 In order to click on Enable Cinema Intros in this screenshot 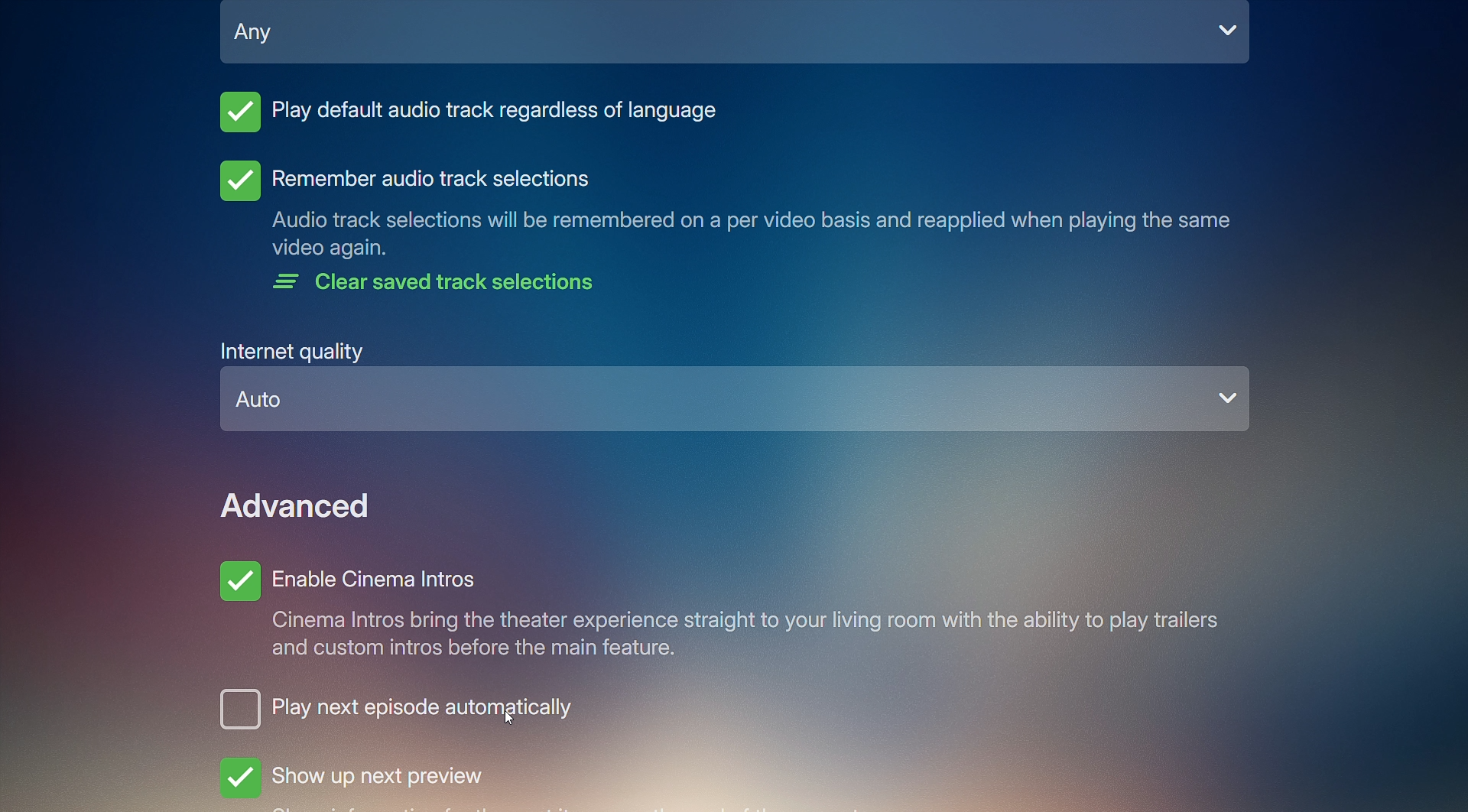, I will do `click(716, 615)`.